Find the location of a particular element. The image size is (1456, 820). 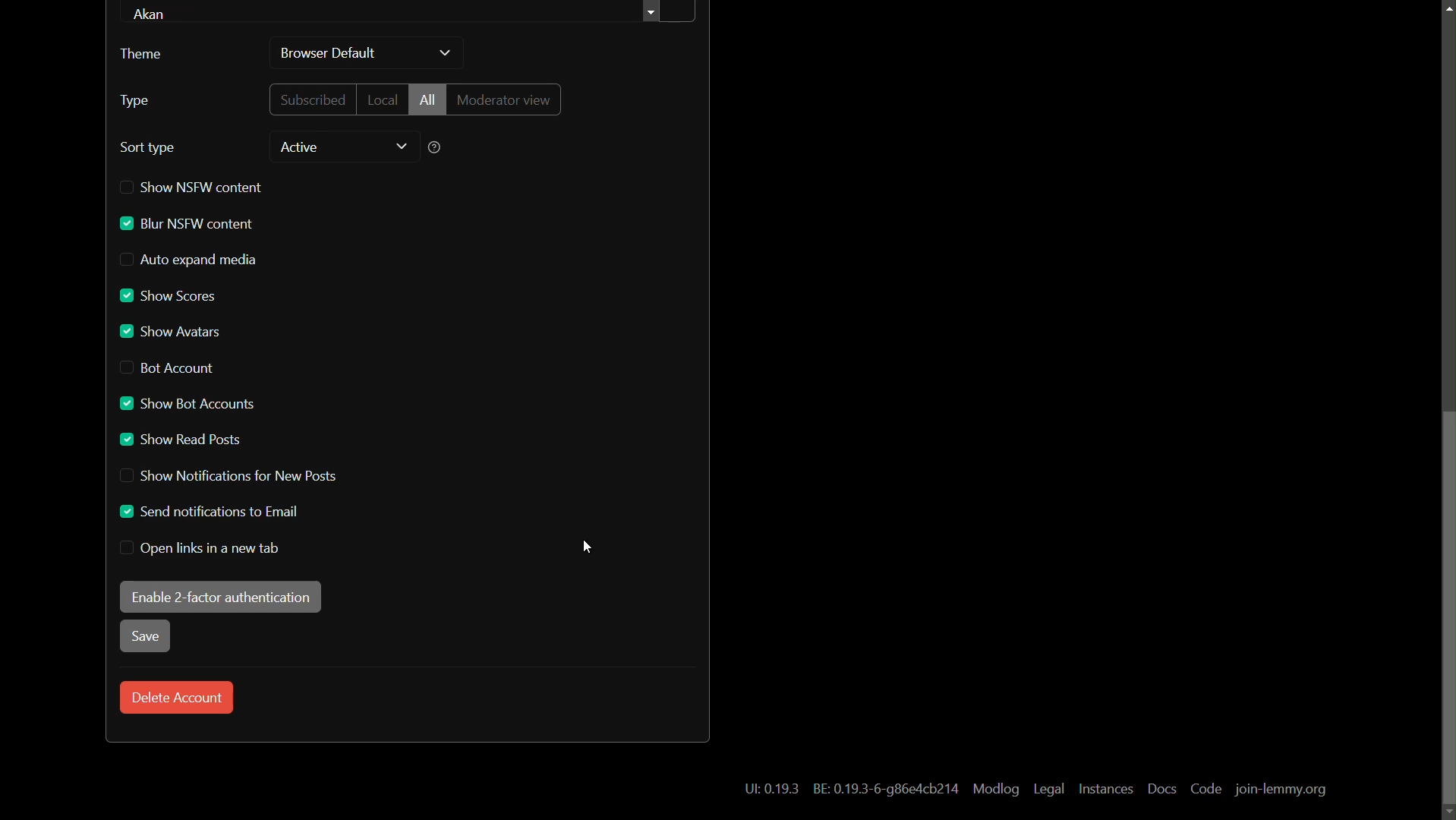

dropdown is located at coordinates (446, 54).